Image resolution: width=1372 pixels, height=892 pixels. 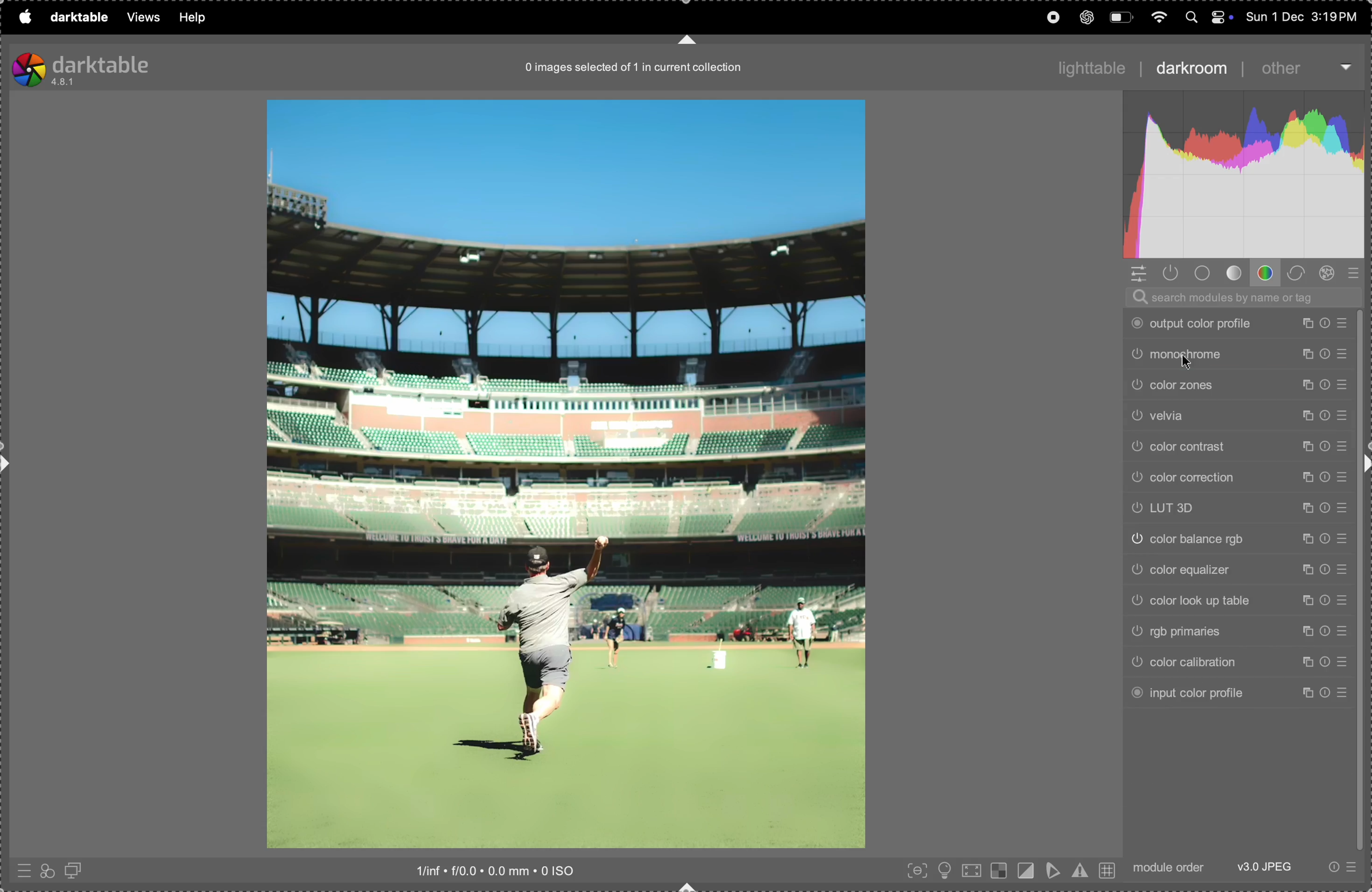 I want to click on toggle iso, so click(x=946, y=870).